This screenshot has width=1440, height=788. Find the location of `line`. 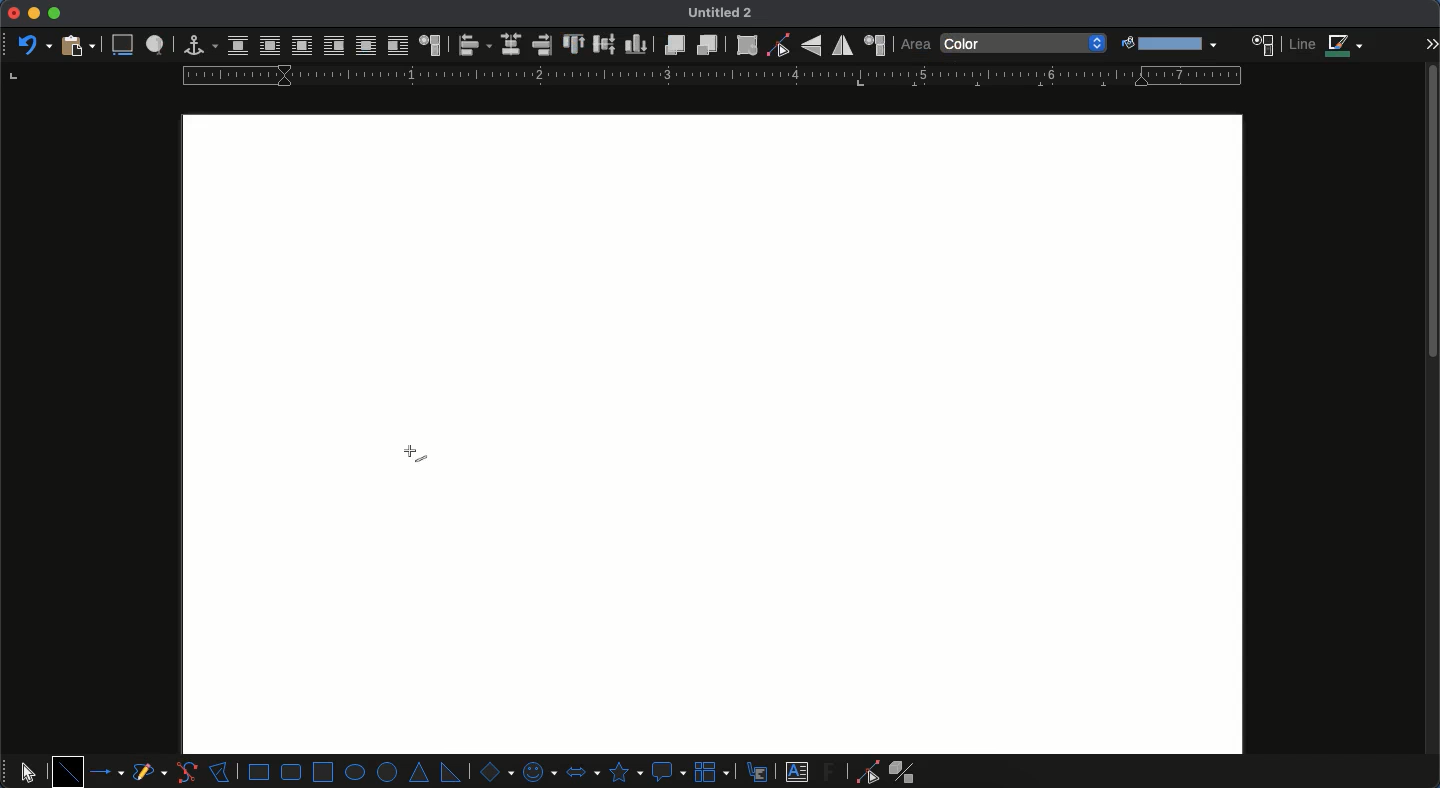

line is located at coordinates (68, 771).